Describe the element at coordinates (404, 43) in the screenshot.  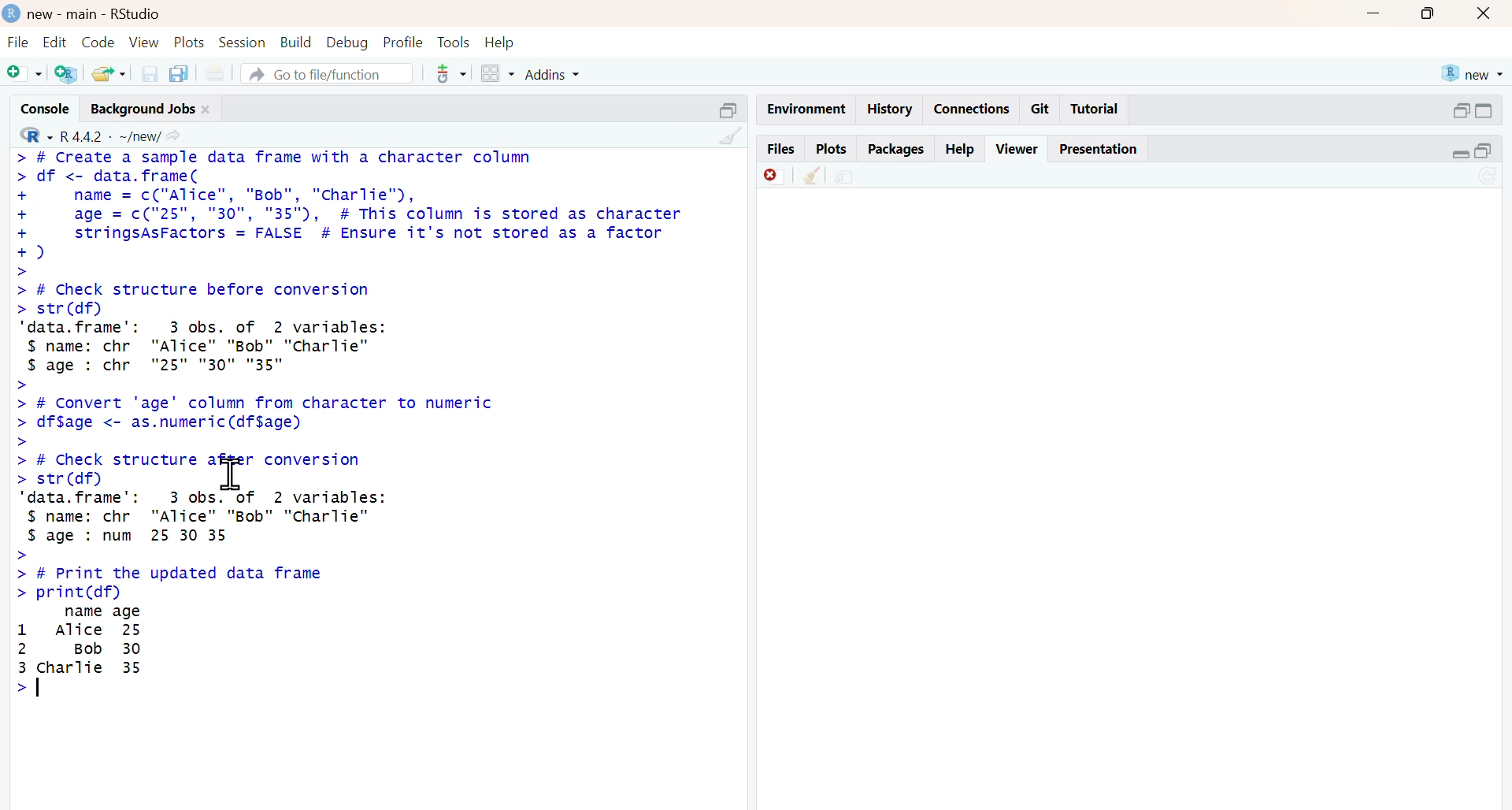
I see `profile` at that location.